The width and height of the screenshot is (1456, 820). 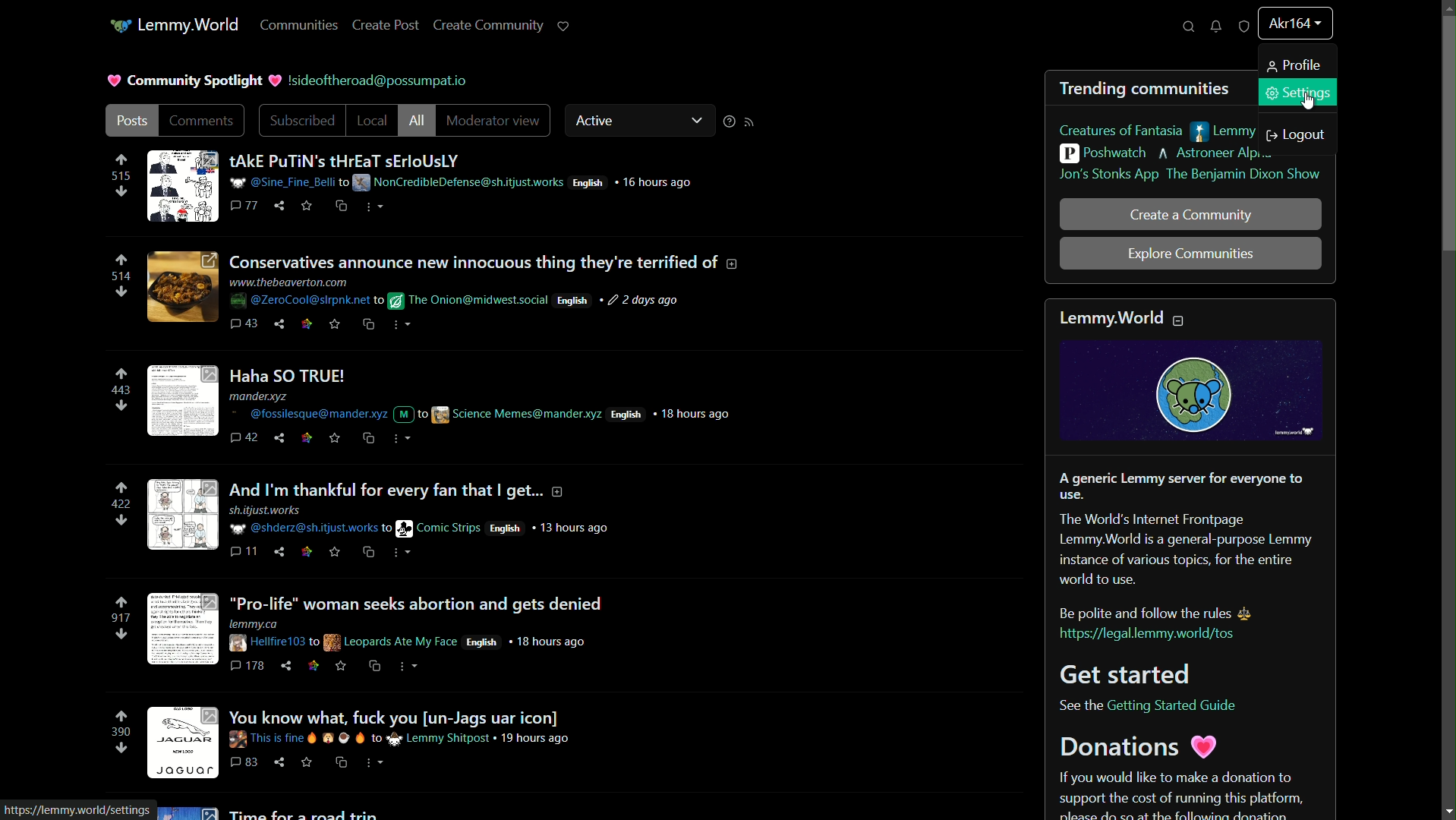 What do you see at coordinates (118, 177) in the screenshot?
I see `number of votes` at bounding box center [118, 177].